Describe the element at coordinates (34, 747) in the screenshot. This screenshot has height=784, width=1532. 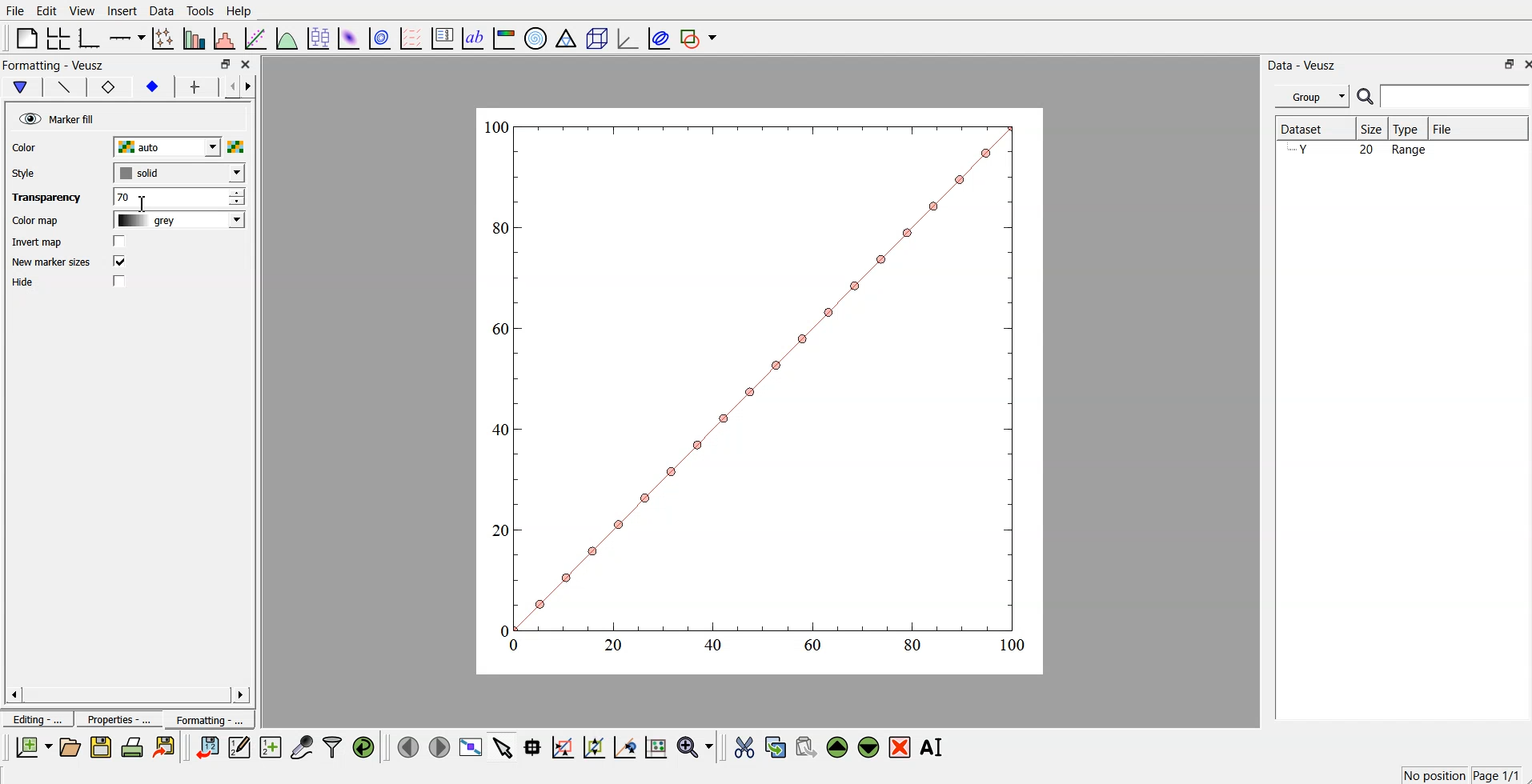
I see `New document` at that location.